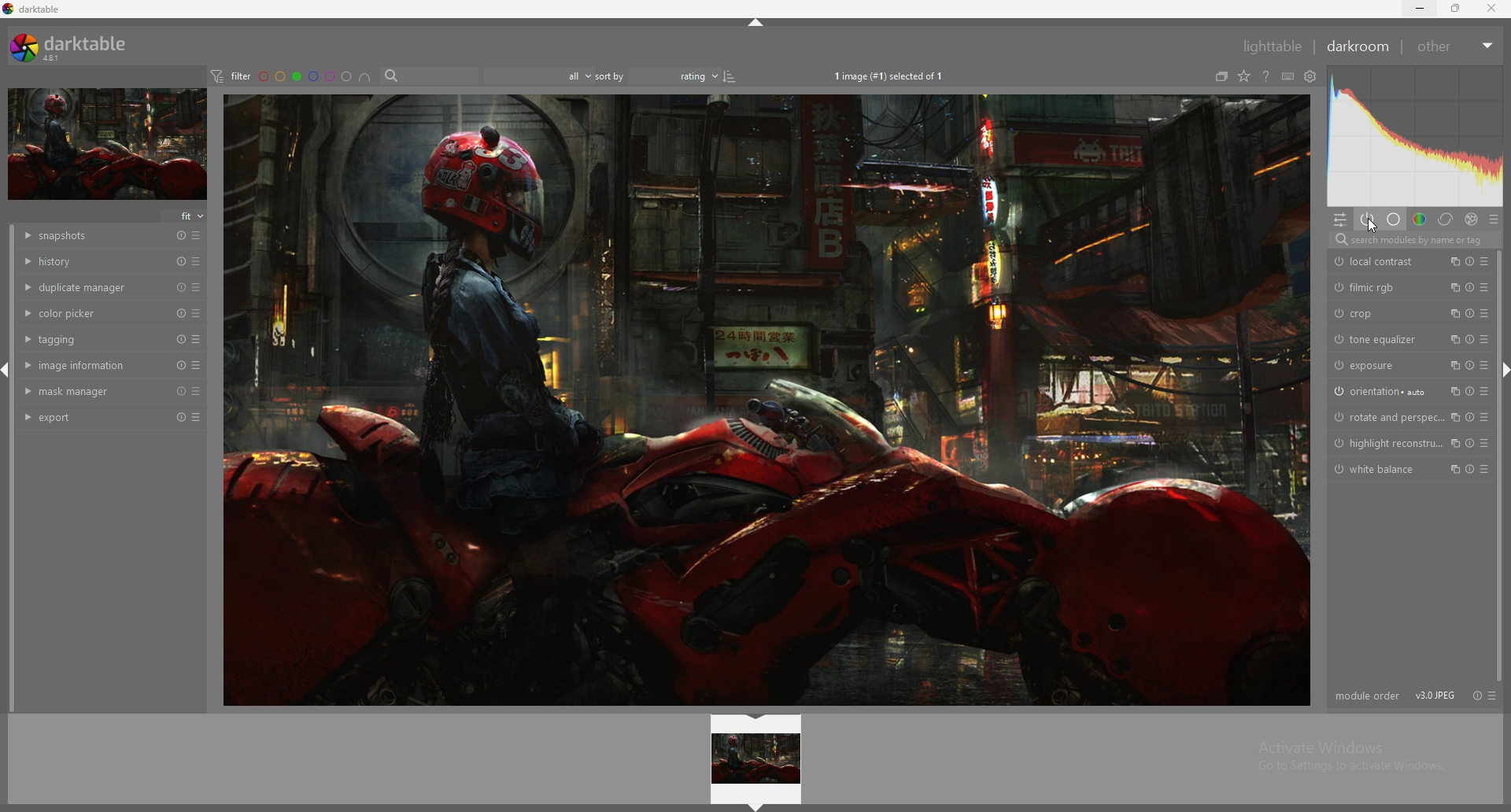  Describe the element at coordinates (1266, 76) in the screenshot. I see `see online help` at that location.